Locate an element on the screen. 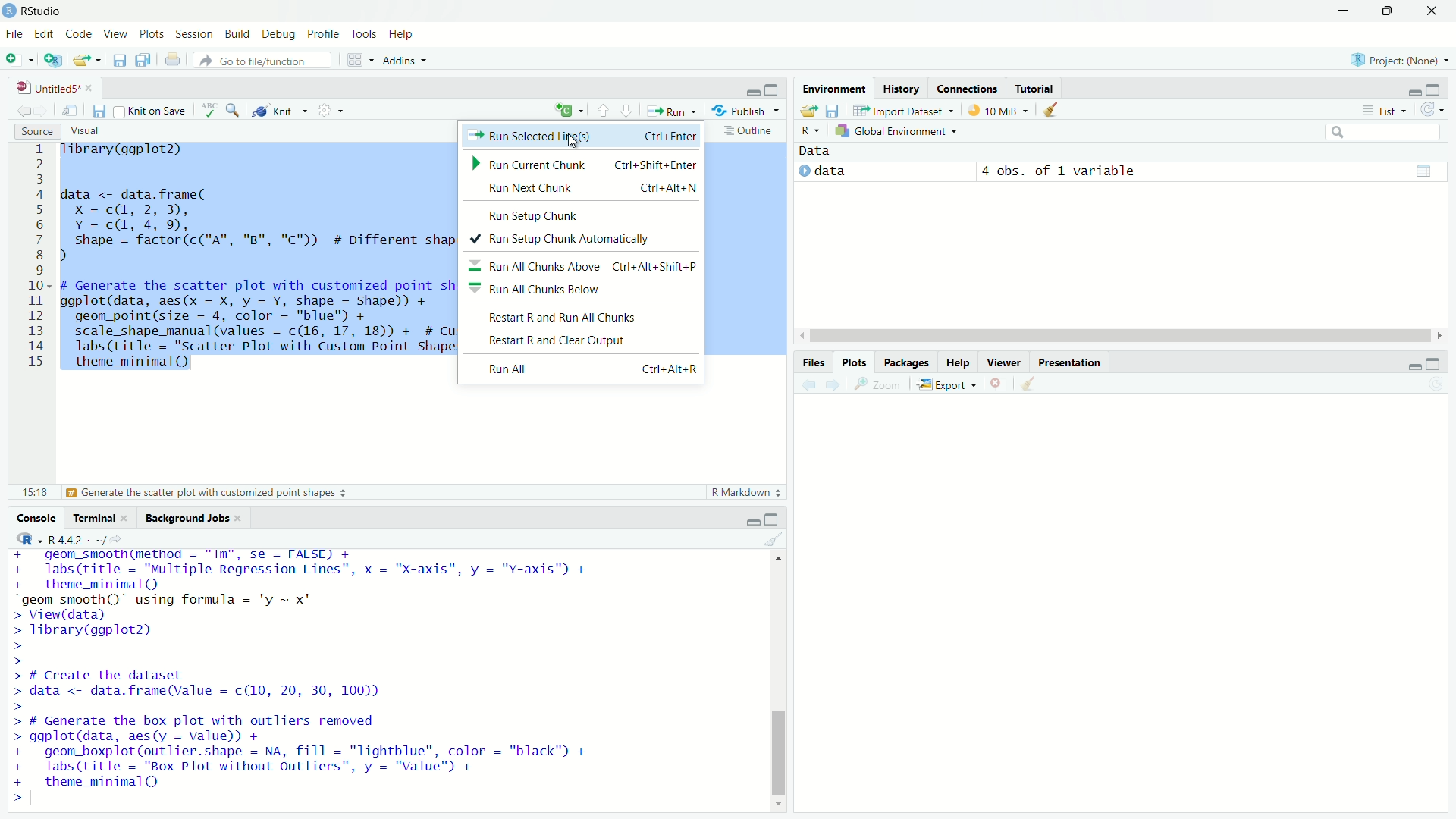 The height and width of the screenshot is (819, 1456). Code is located at coordinates (77, 33).